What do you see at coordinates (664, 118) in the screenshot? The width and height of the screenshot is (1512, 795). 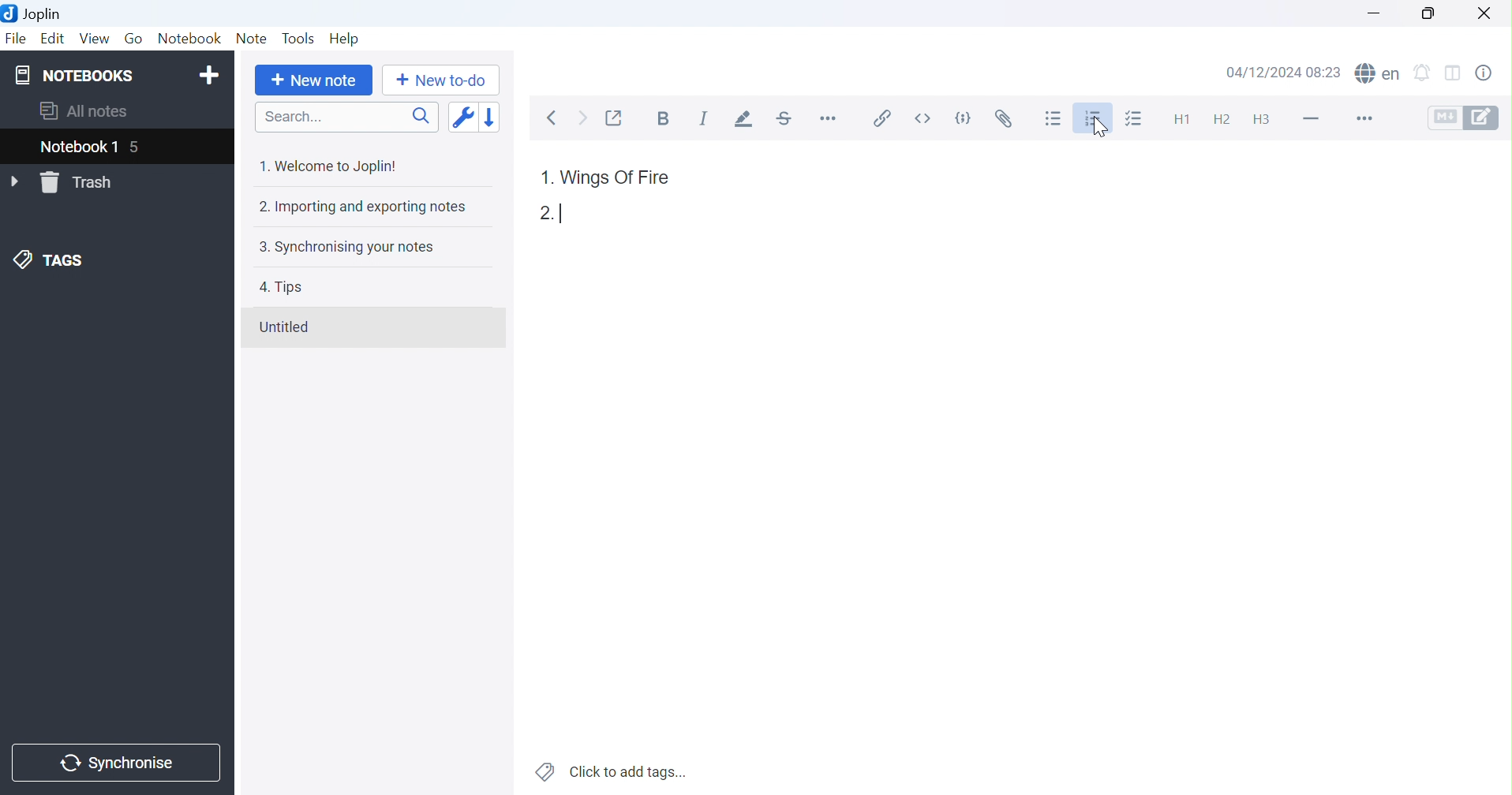 I see `Bold` at bounding box center [664, 118].